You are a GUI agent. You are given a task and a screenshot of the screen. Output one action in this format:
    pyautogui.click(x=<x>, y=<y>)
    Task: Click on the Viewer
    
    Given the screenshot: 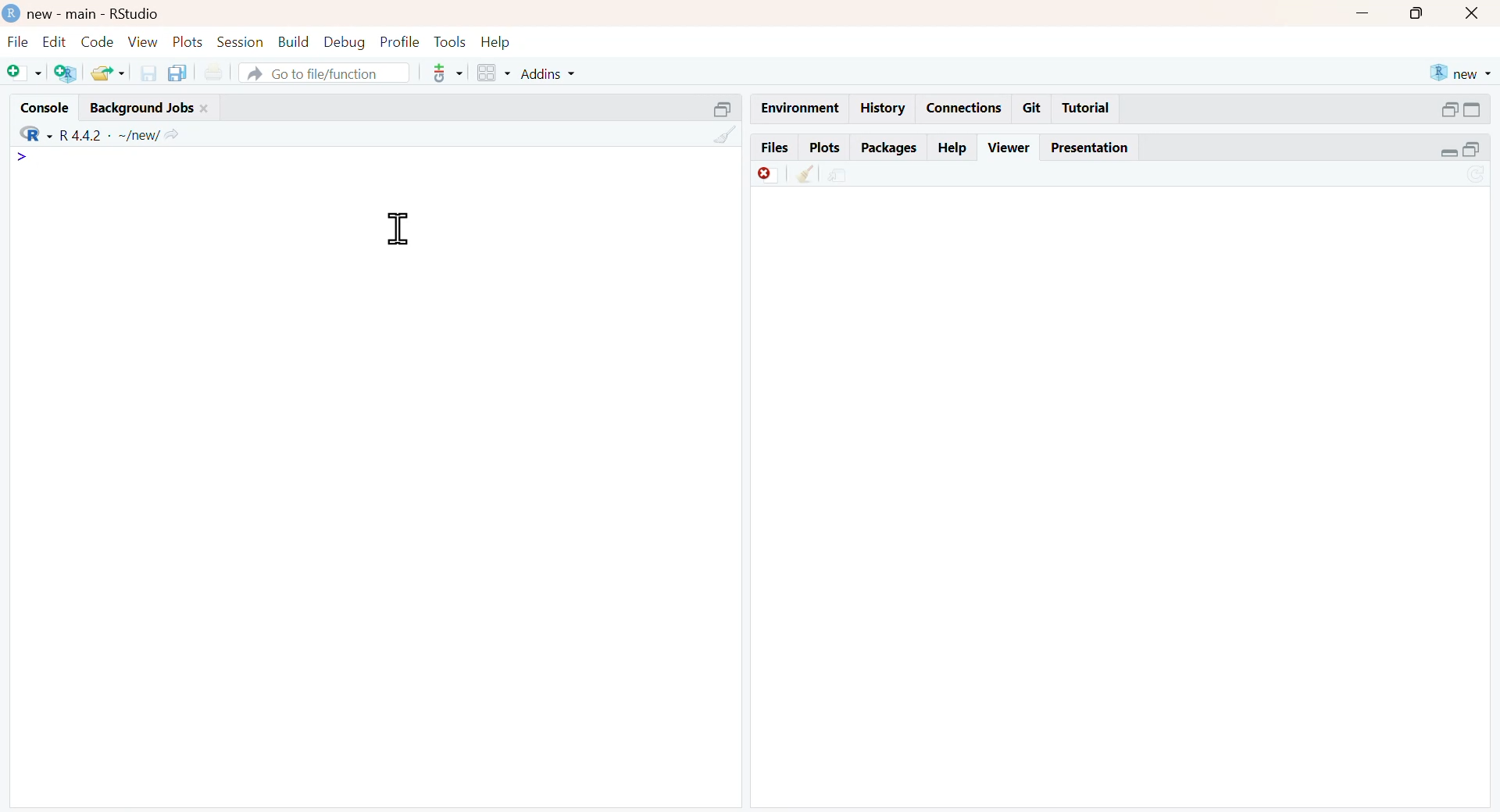 What is the action you would take?
    pyautogui.click(x=1009, y=145)
    